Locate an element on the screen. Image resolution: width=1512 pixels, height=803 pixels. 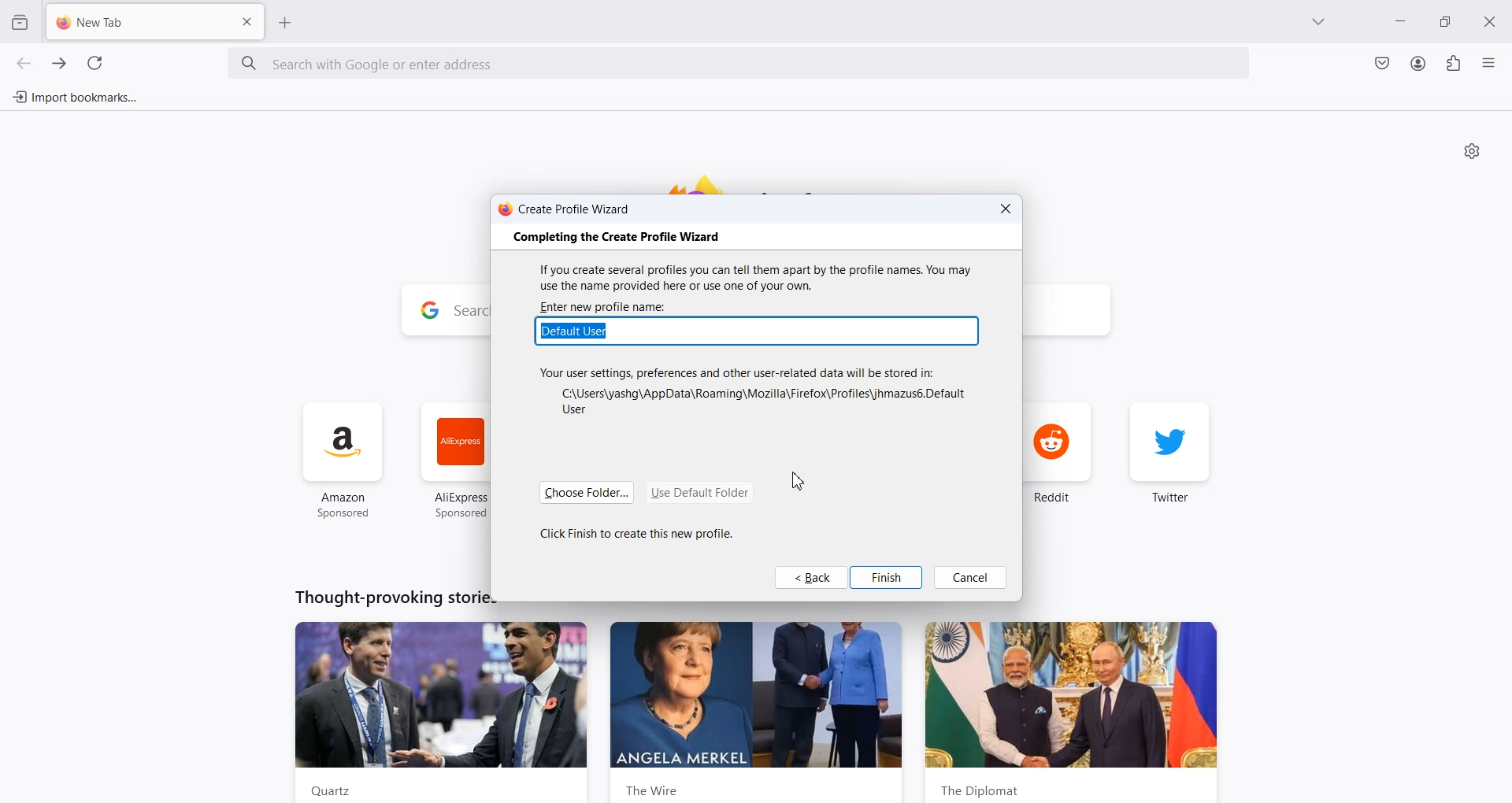
C:\Users\yashg\AppData\Roaming\Mozilla\Firefox\Profiles\jhmazus6.Default
User is located at coordinates (756, 401).